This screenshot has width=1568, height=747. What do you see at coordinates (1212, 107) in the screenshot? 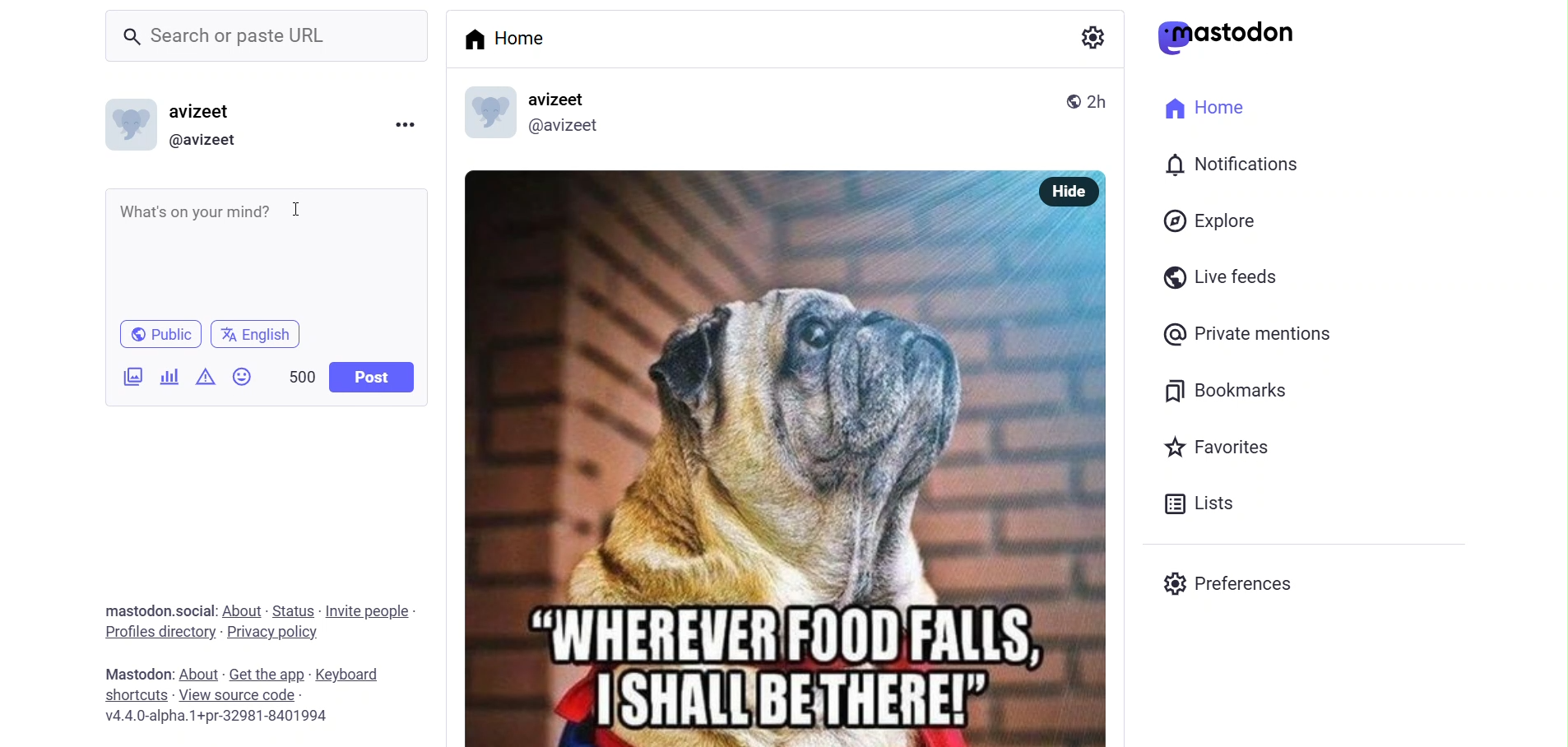
I see `home` at bounding box center [1212, 107].